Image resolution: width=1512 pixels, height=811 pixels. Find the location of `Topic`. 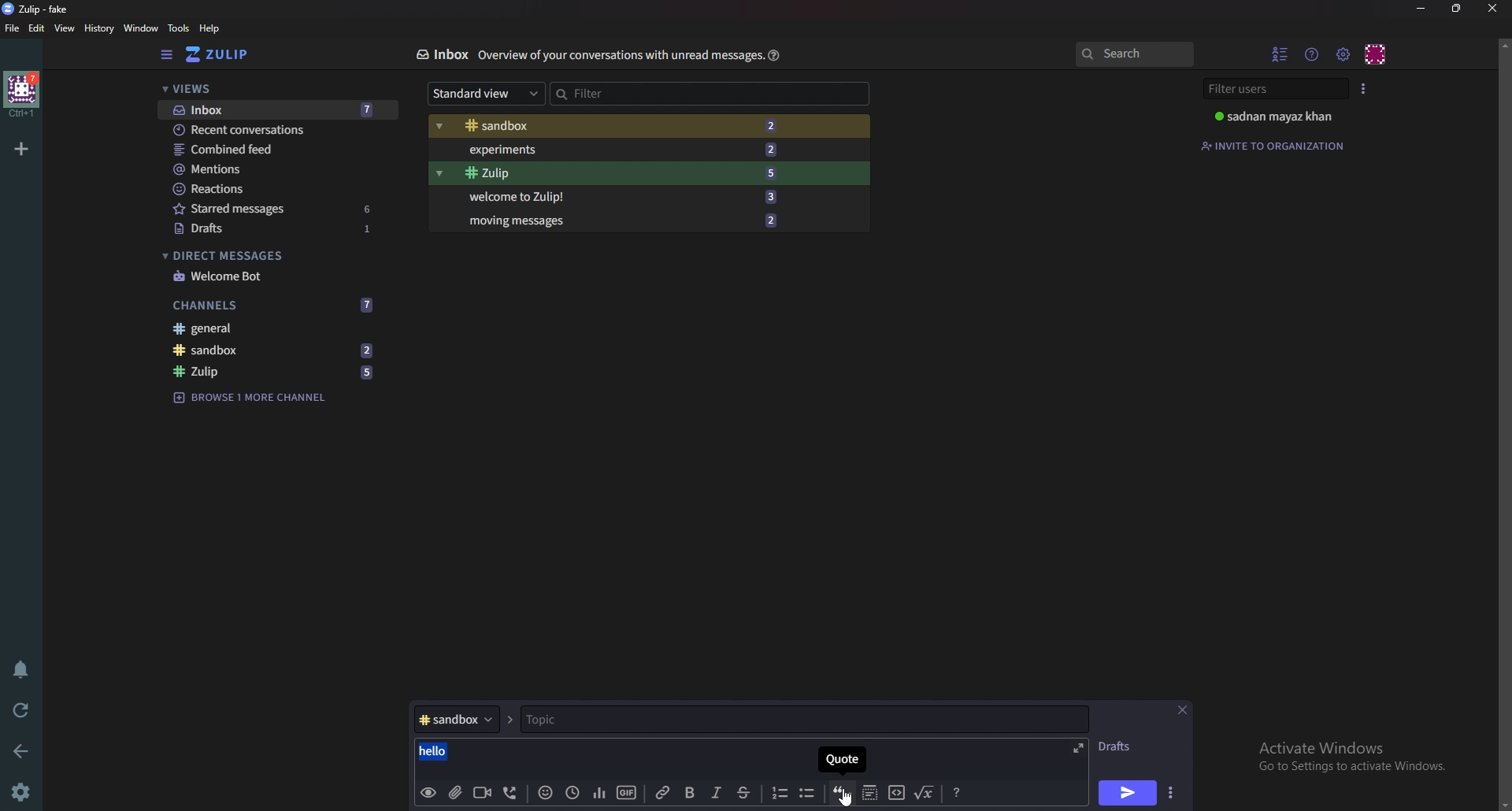

Topic is located at coordinates (599, 720).